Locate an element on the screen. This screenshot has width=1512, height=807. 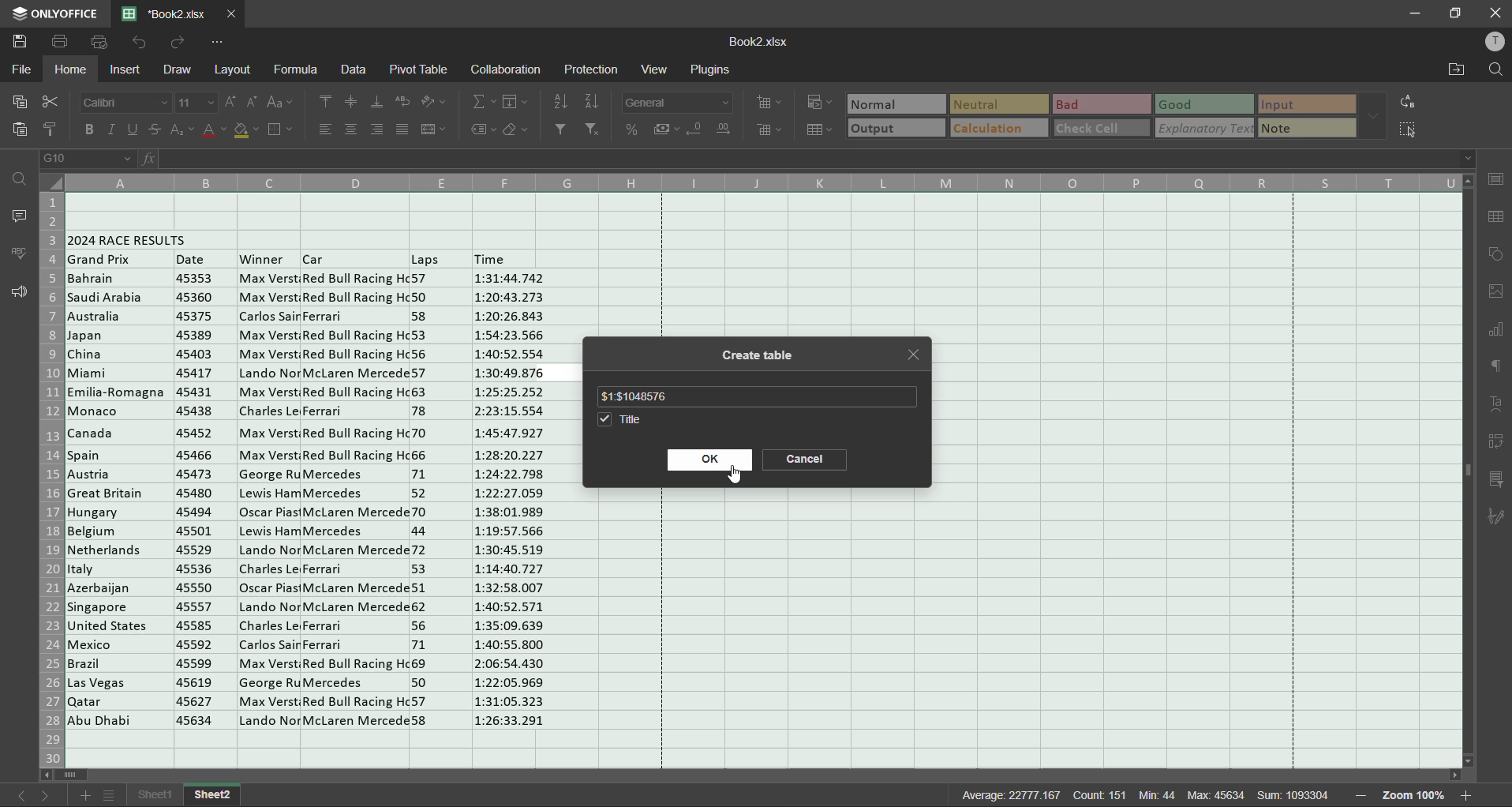
redo is located at coordinates (174, 43).